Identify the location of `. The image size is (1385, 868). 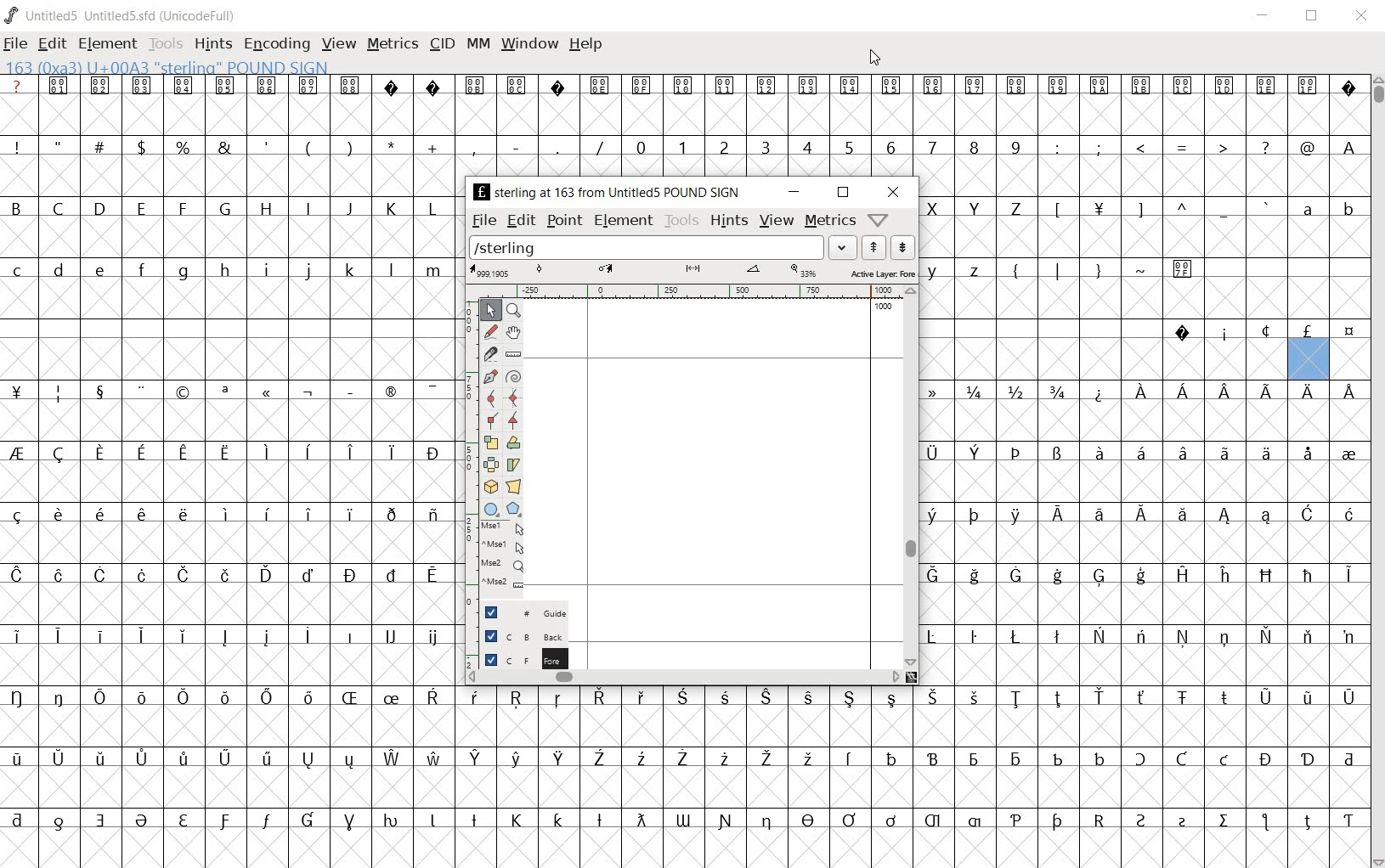
(1264, 208).